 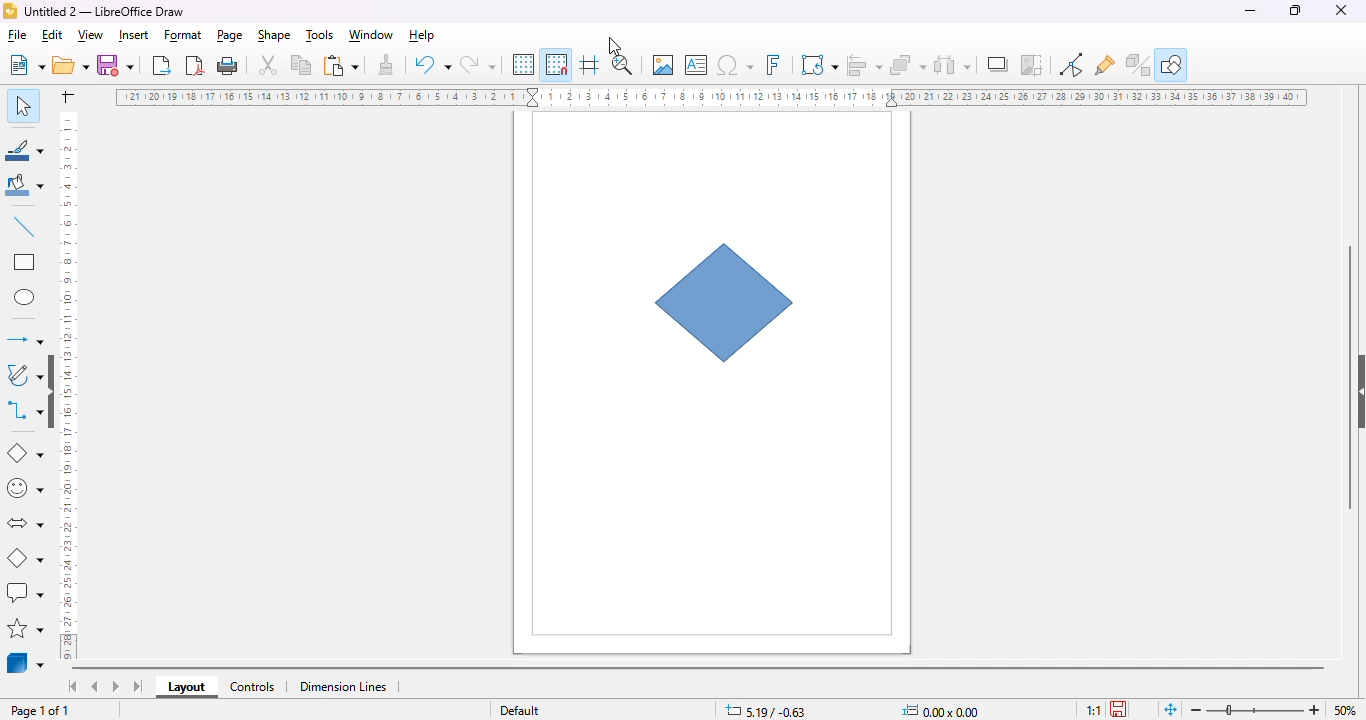 I want to click on cursor, so click(x=613, y=47).